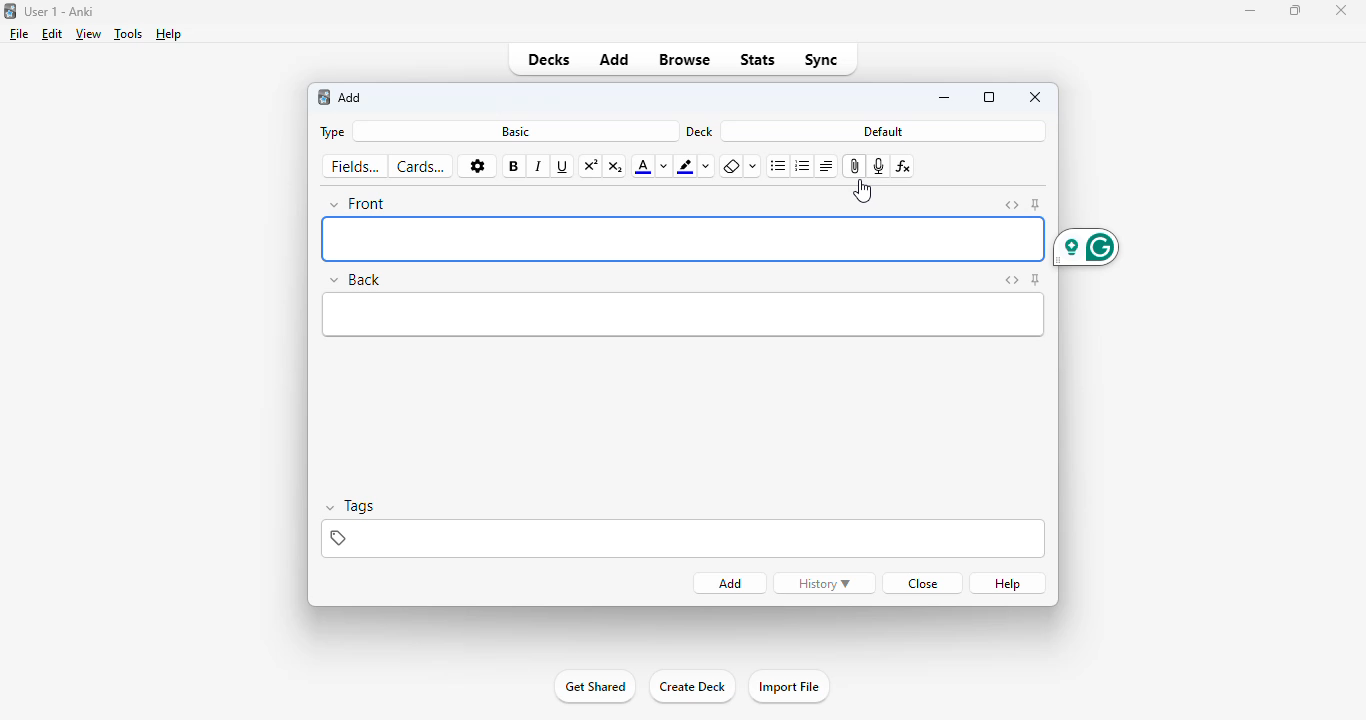 The image size is (1366, 720). I want to click on front, so click(359, 204).